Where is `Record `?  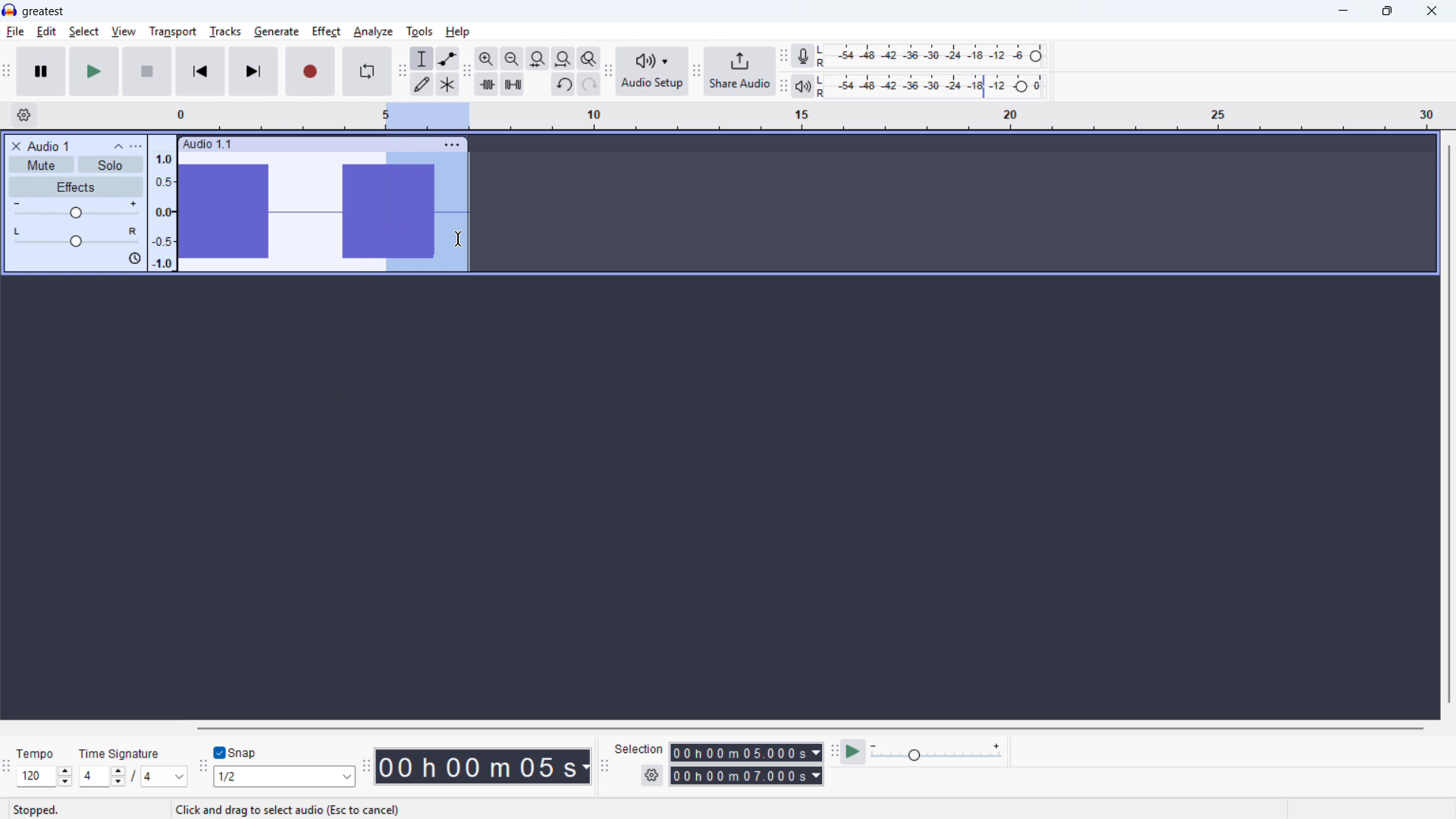
Record  is located at coordinates (310, 71).